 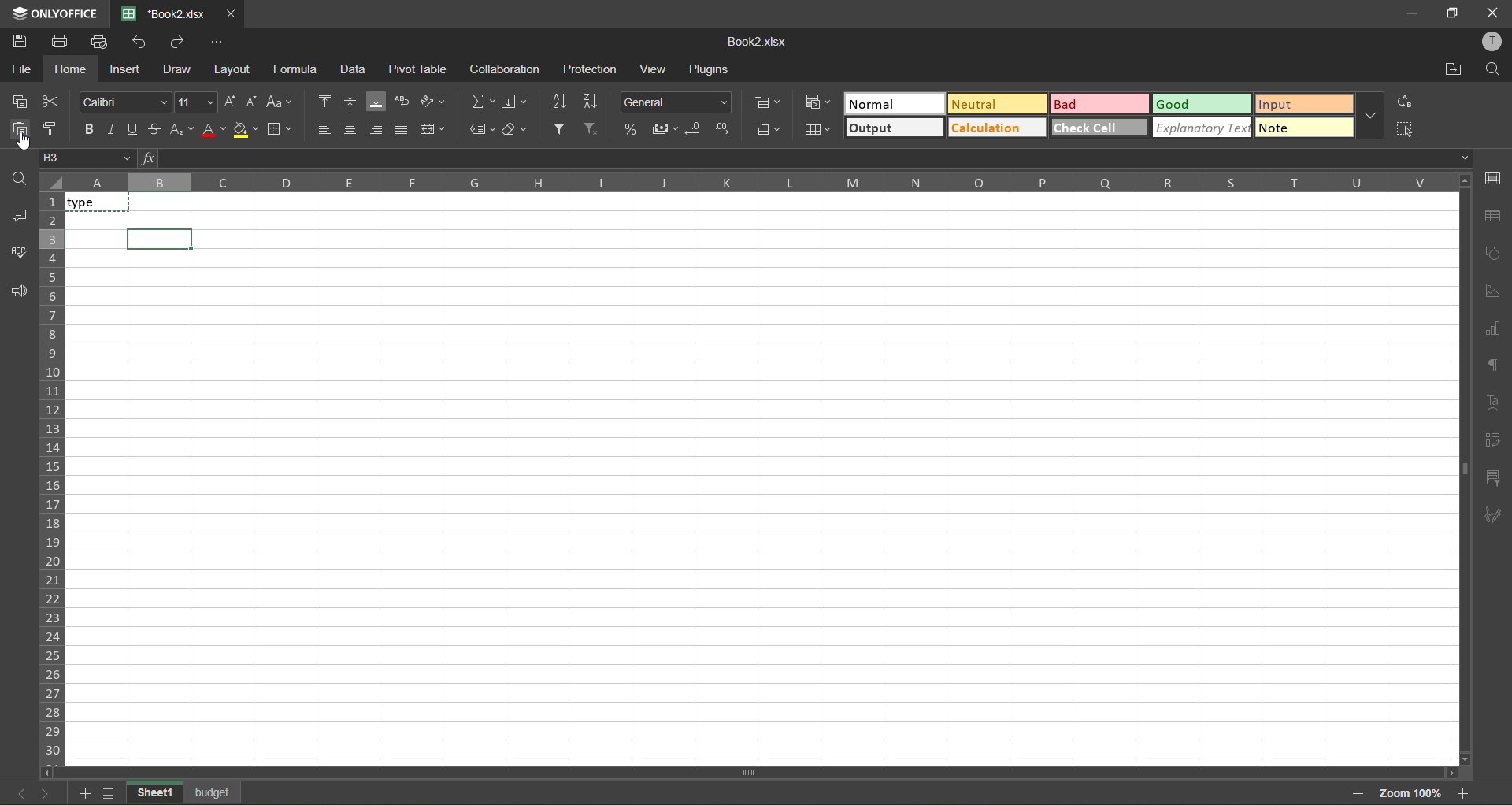 What do you see at coordinates (1414, 13) in the screenshot?
I see `minimize` at bounding box center [1414, 13].